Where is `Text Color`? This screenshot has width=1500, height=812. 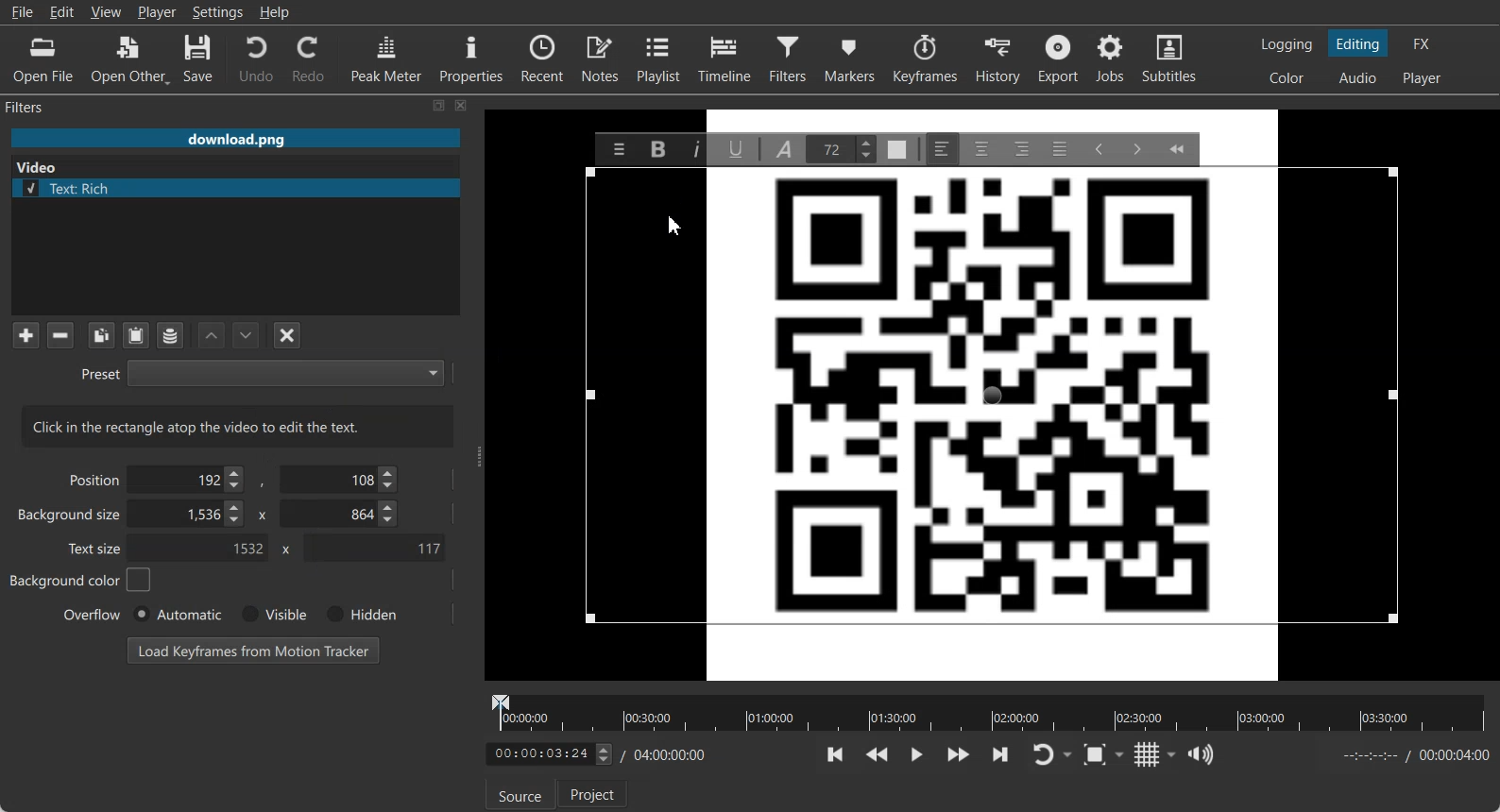
Text Color is located at coordinates (895, 149).